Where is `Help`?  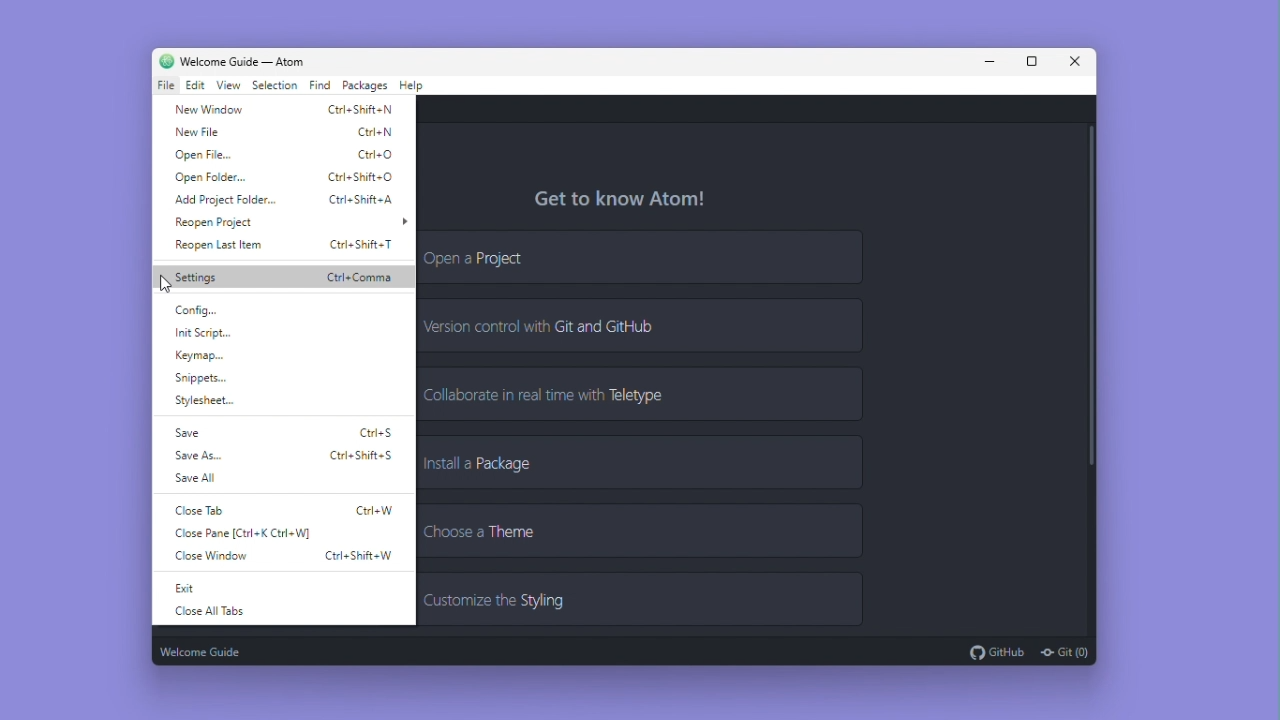
Help is located at coordinates (413, 85).